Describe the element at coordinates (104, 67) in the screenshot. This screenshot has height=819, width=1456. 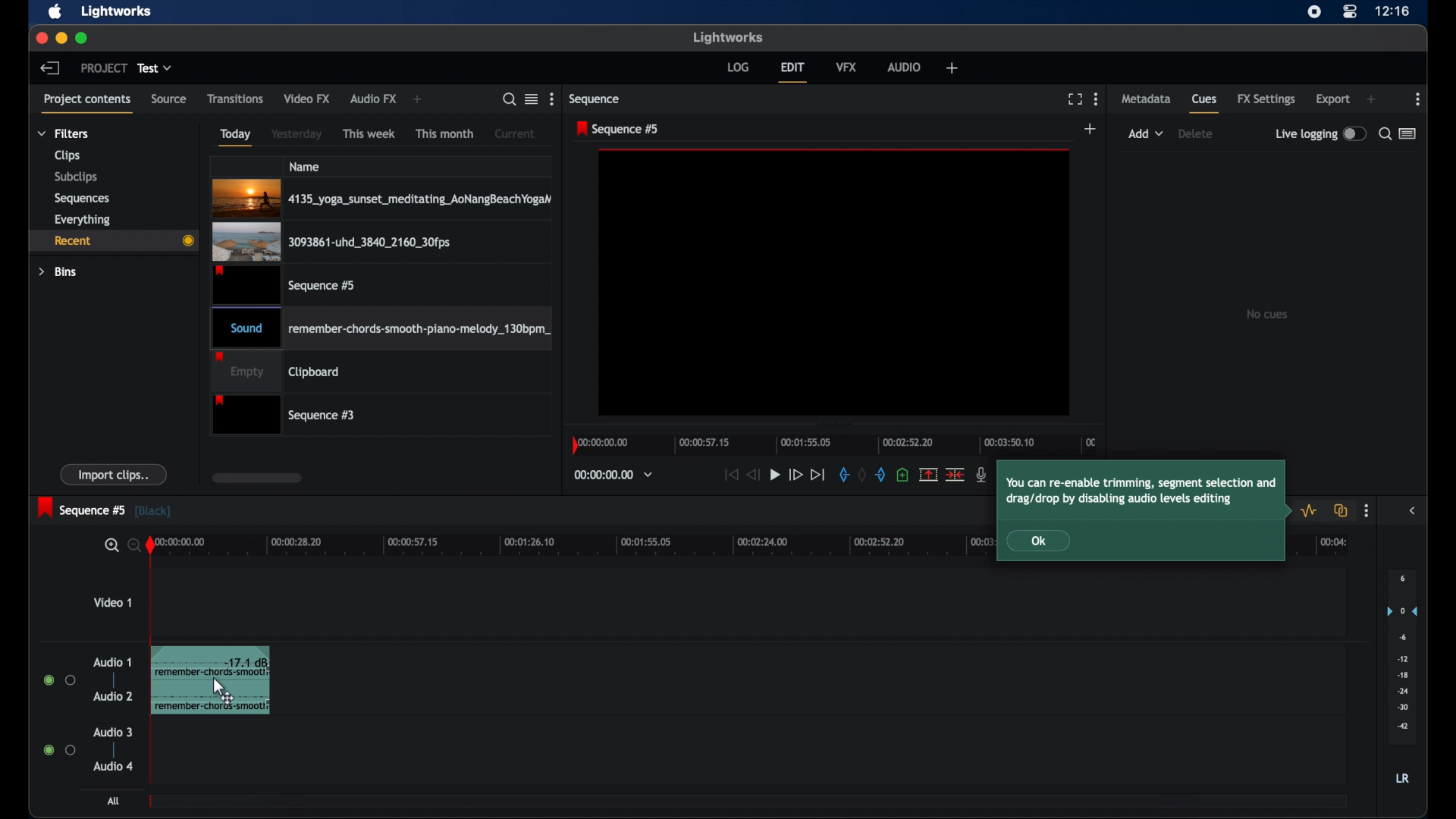
I see `project` at that location.